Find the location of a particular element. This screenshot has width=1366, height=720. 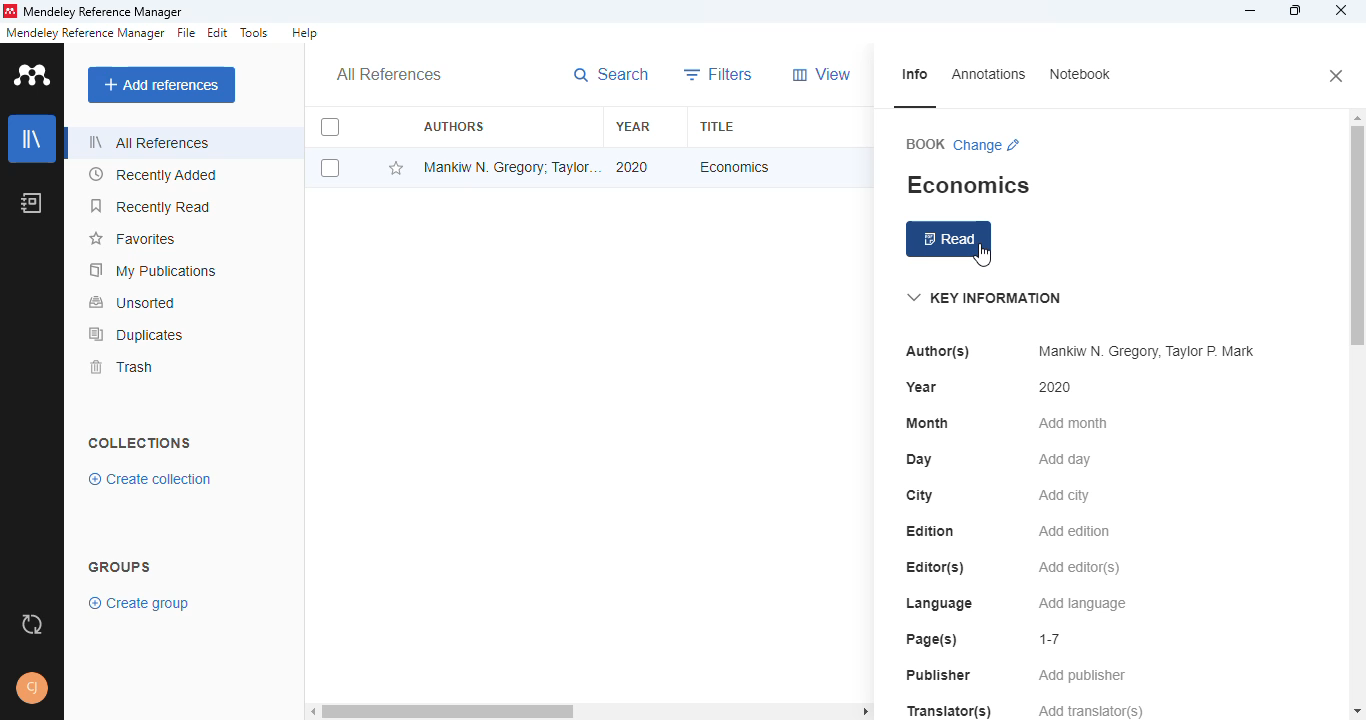

notebook is located at coordinates (31, 202).